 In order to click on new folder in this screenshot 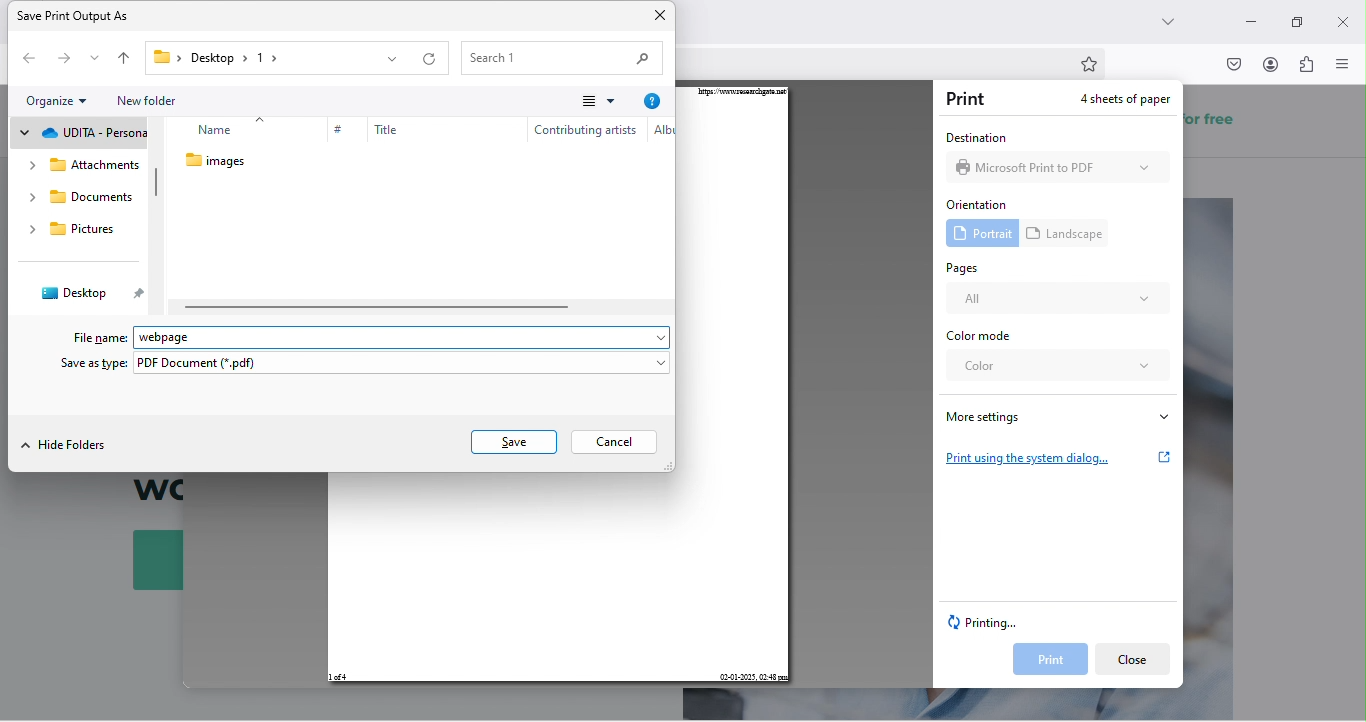, I will do `click(150, 96)`.